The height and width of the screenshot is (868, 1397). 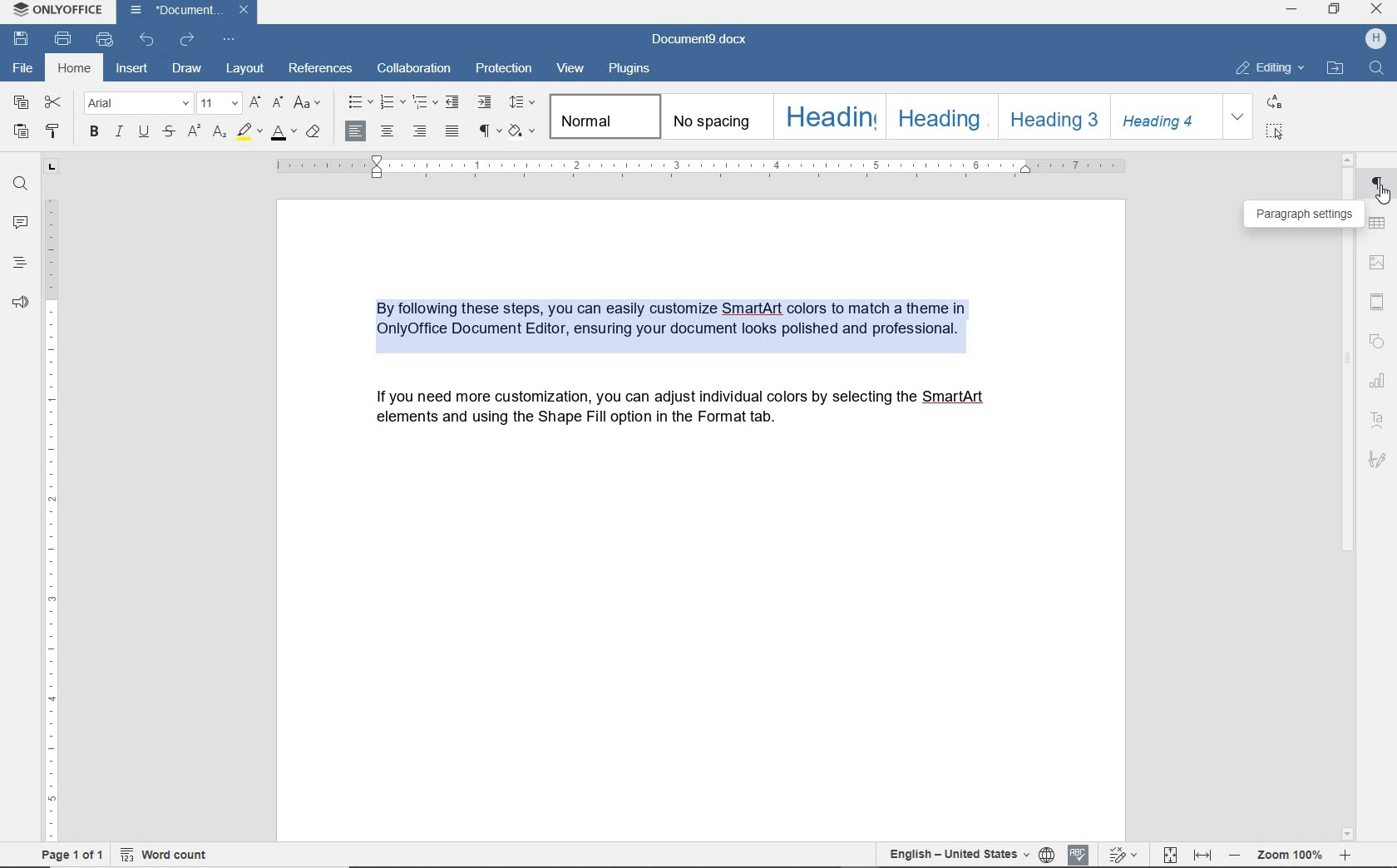 I want to click on cut, so click(x=54, y=102).